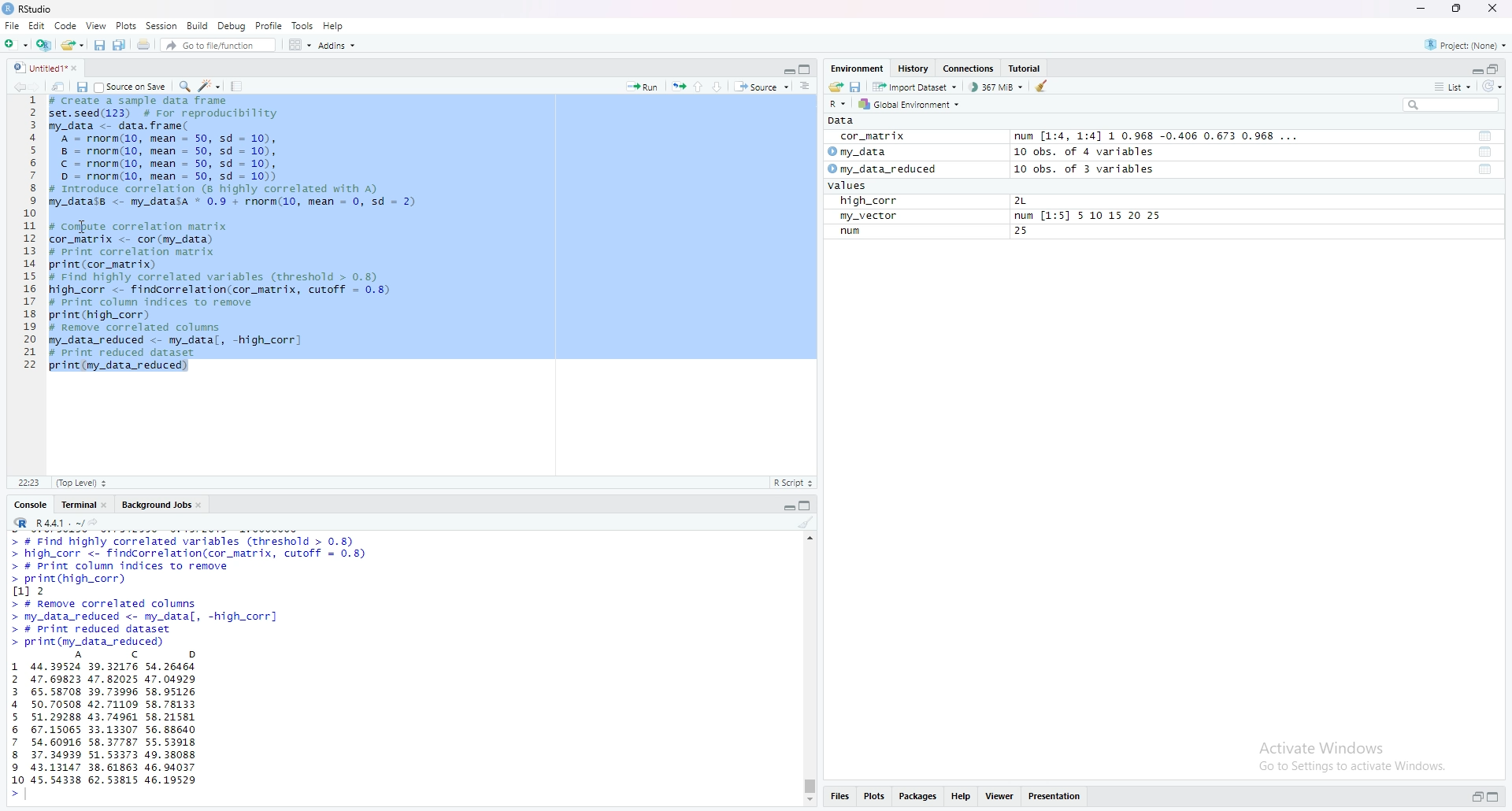 The height and width of the screenshot is (811, 1512). I want to click on File, so click(13, 26).